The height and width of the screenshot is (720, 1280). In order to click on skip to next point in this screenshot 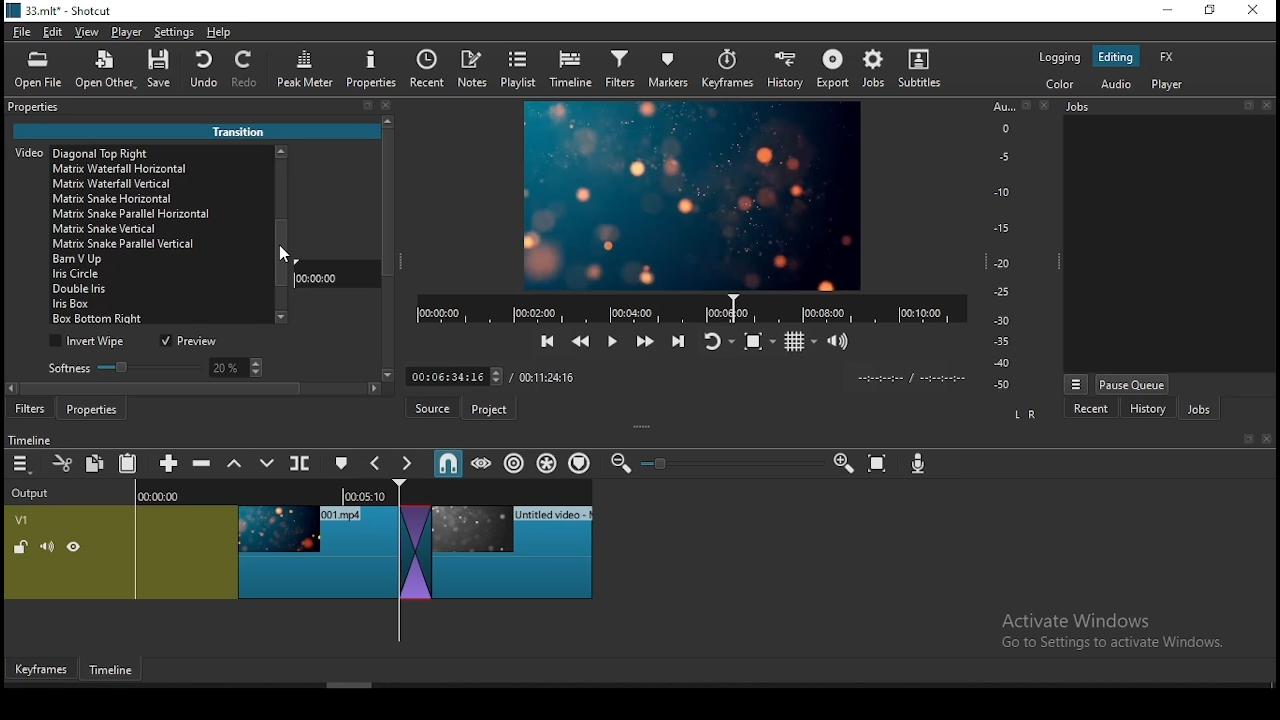, I will do `click(675, 341)`.